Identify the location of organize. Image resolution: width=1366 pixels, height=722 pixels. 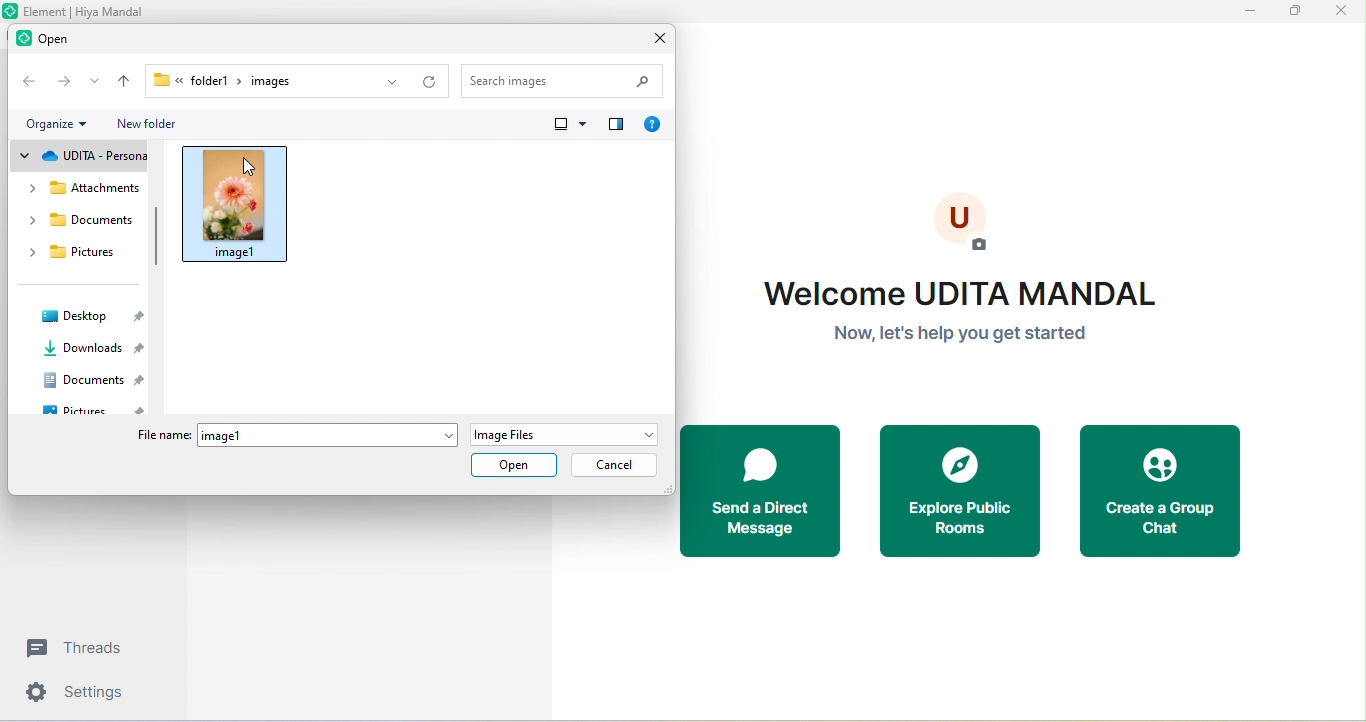
(54, 122).